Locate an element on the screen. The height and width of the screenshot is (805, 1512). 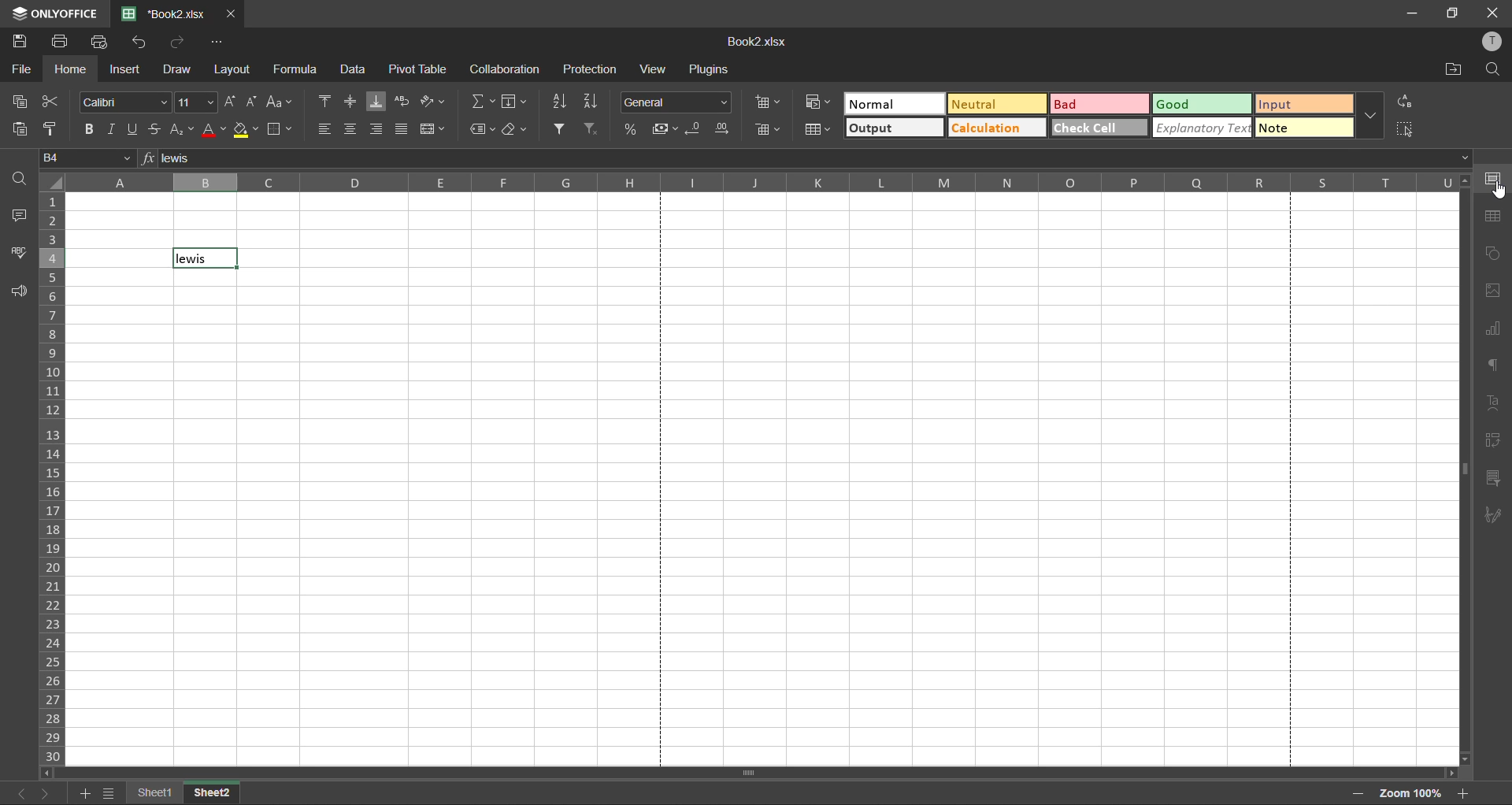
sheet 1 is located at coordinates (155, 795).